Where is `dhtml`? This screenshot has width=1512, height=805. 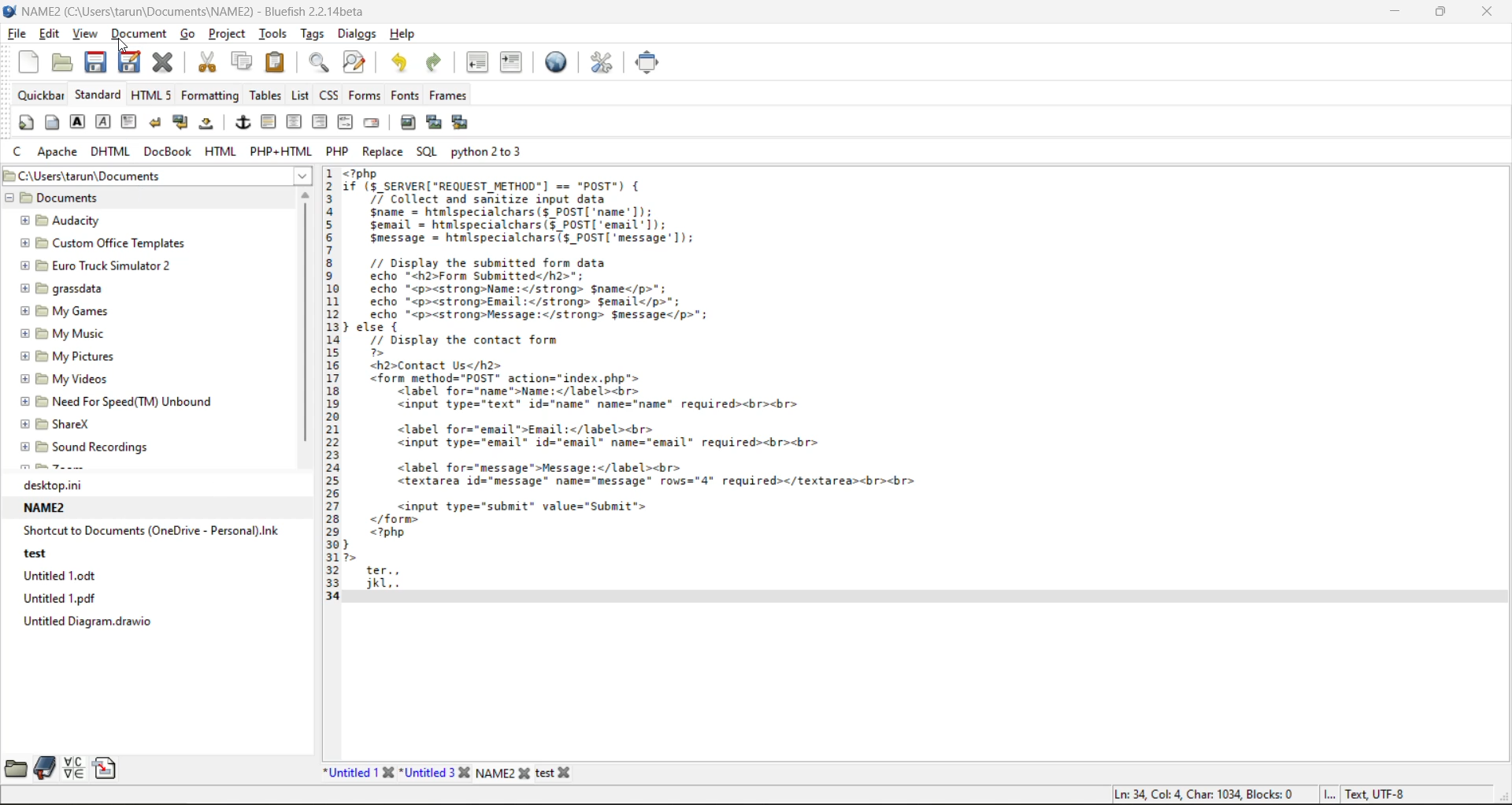 dhtml is located at coordinates (112, 152).